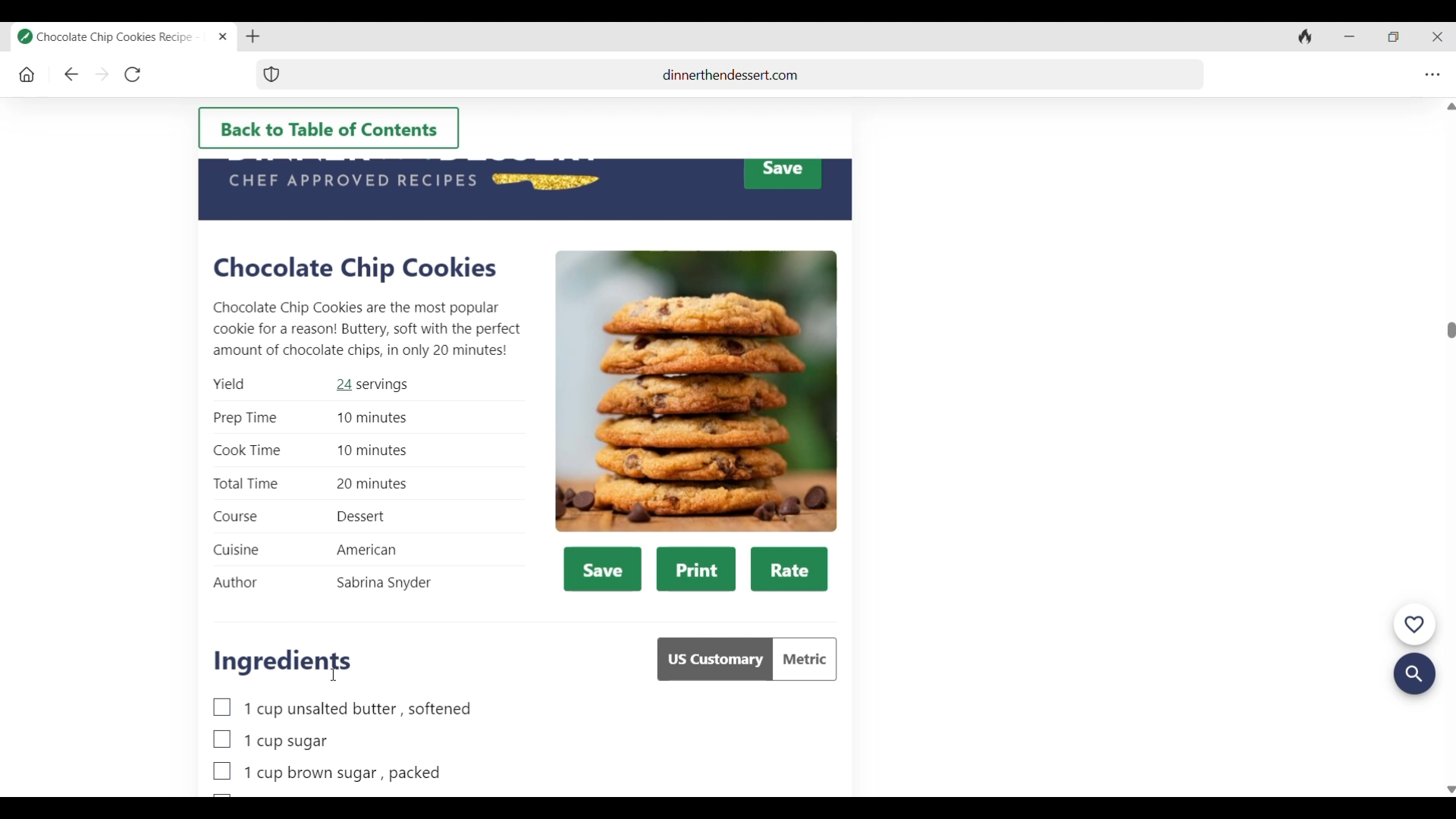  I want to click on Knife silhouette, so click(545, 180).